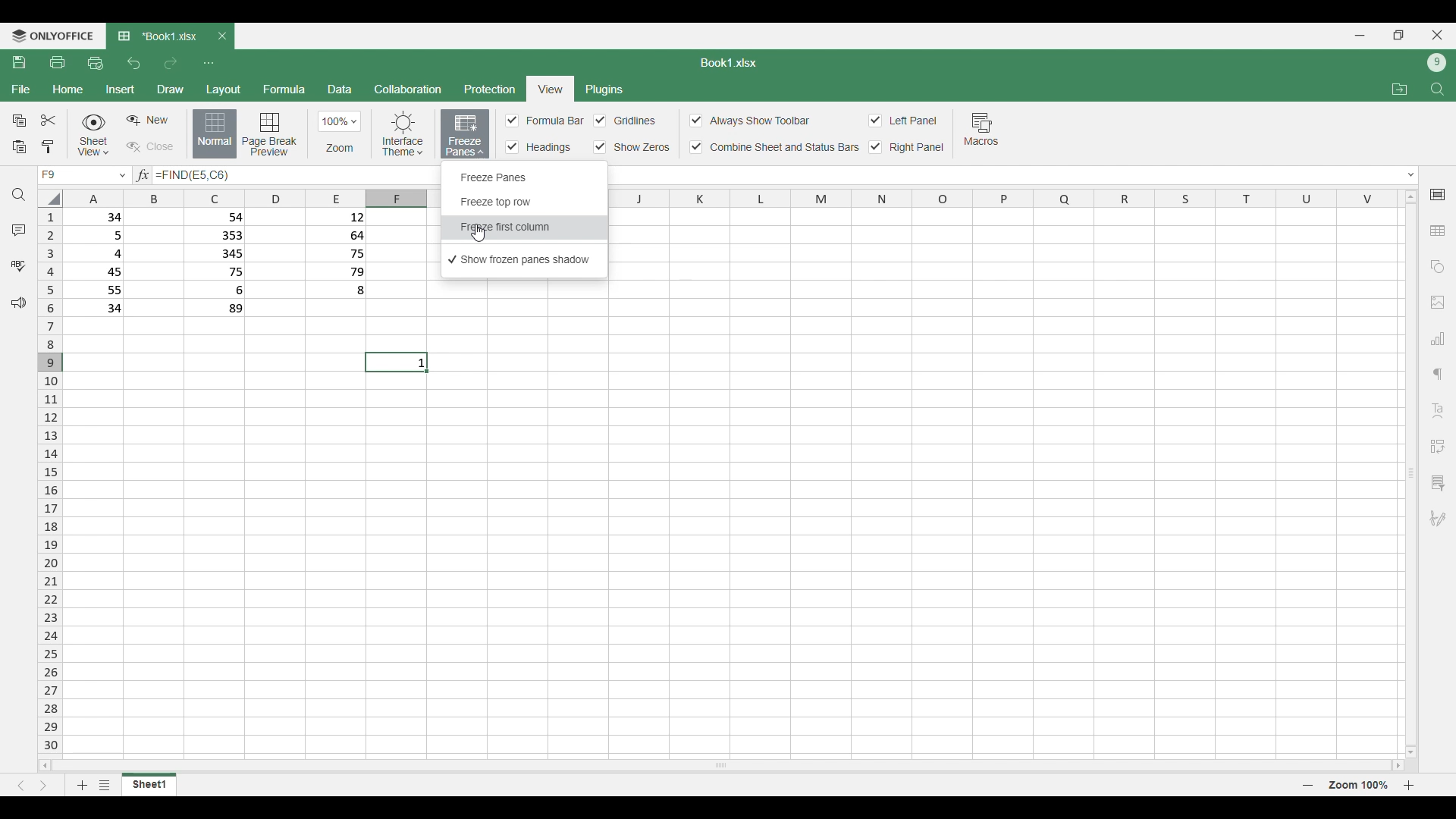 This screenshot has height=819, width=1456. What do you see at coordinates (222, 36) in the screenshot?
I see `Close tab` at bounding box center [222, 36].